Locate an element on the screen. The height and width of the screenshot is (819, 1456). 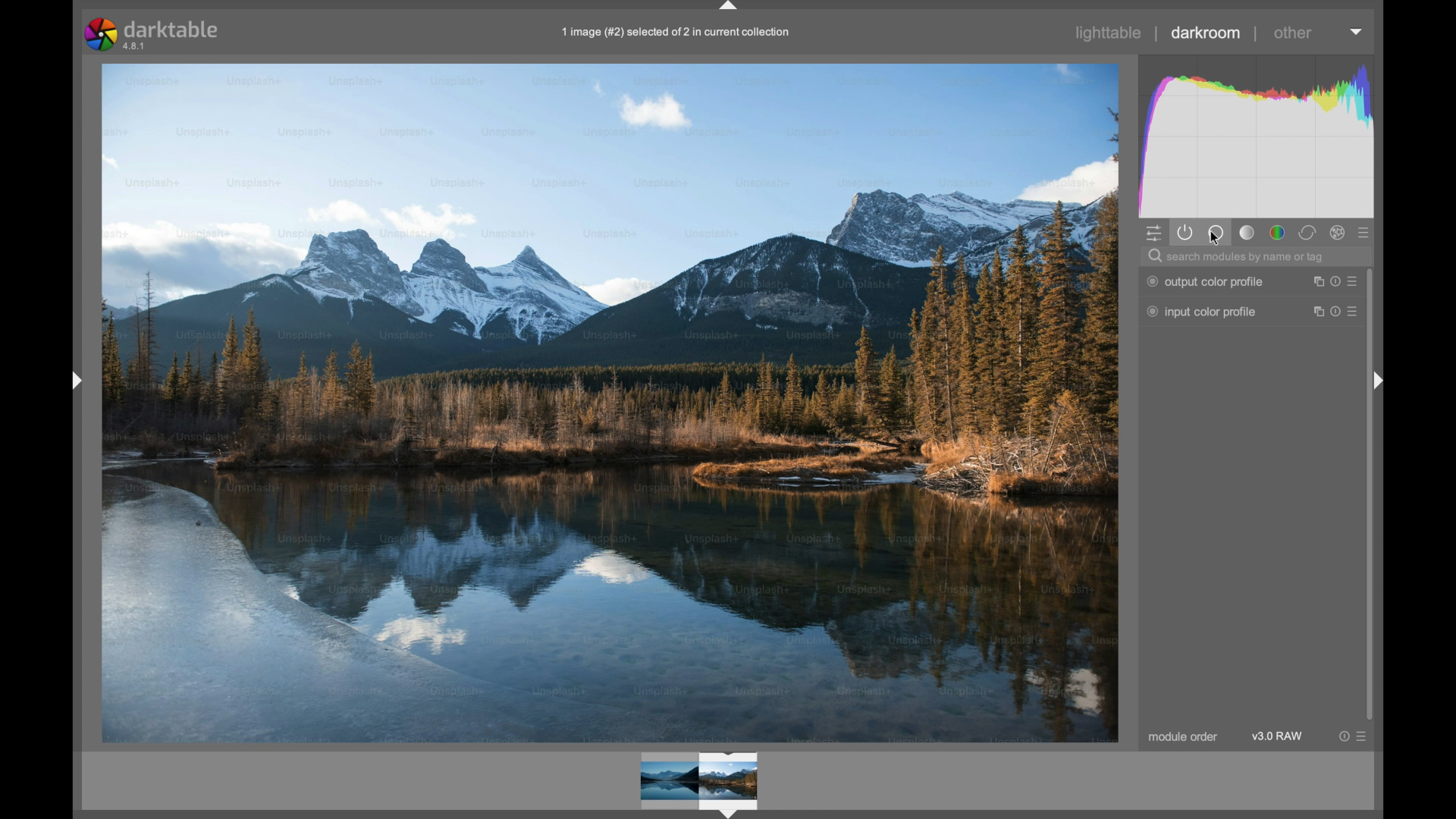
instance is located at coordinates (1315, 312).